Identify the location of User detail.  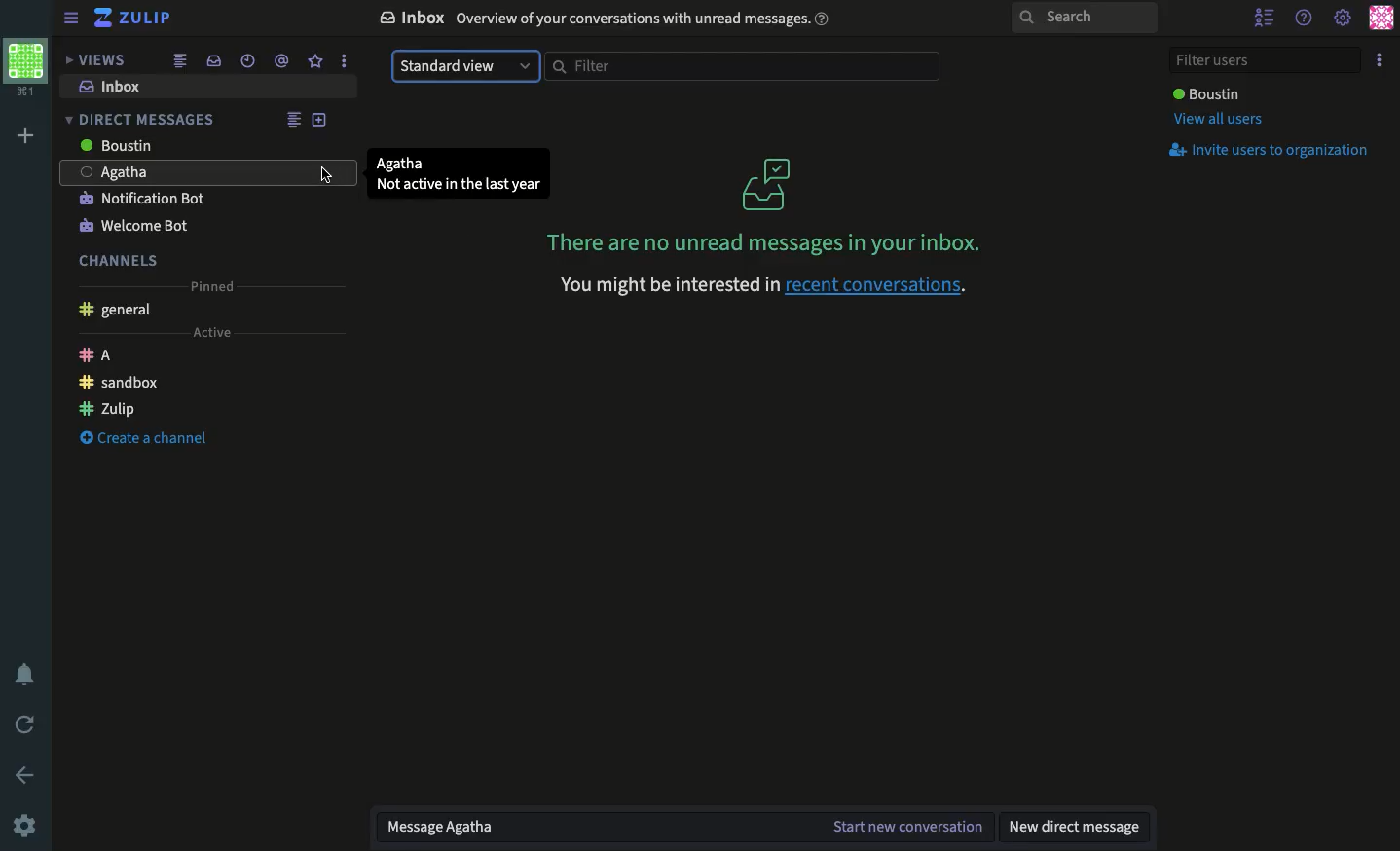
(457, 176).